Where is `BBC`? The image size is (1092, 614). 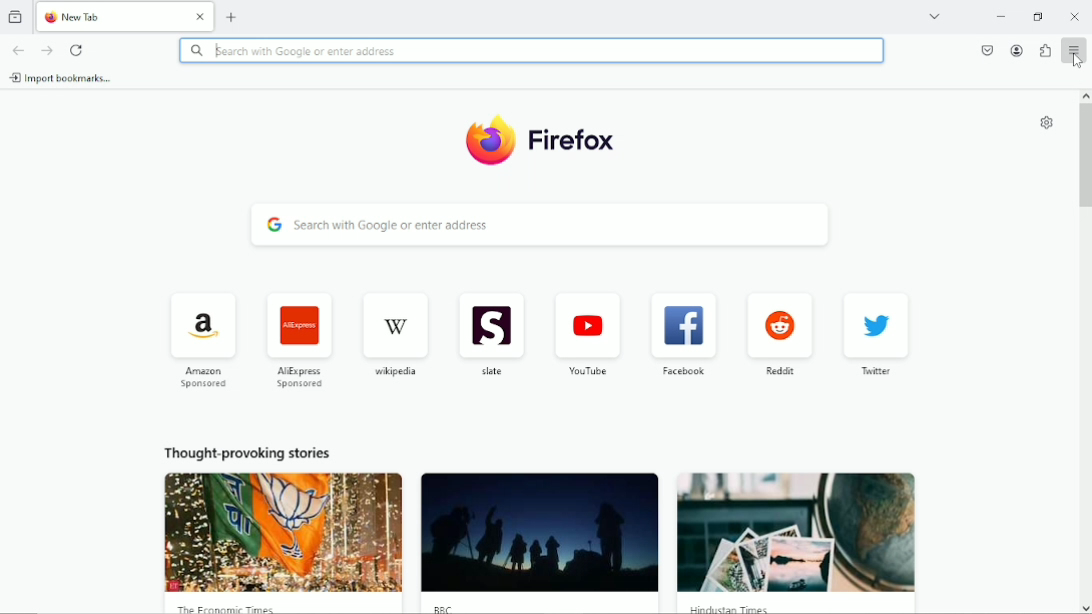
BBC is located at coordinates (446, 608).